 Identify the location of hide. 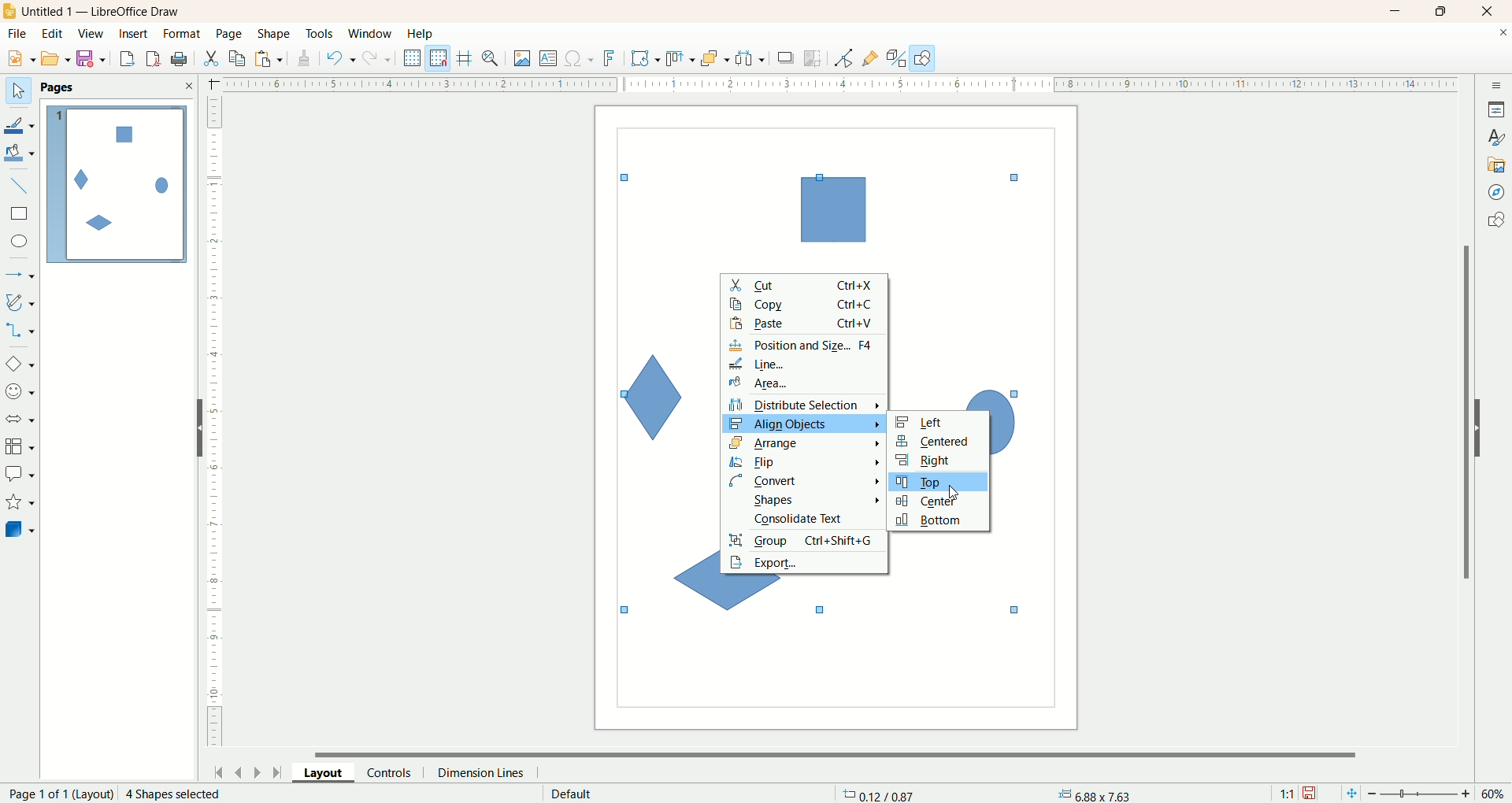
(193, 431).